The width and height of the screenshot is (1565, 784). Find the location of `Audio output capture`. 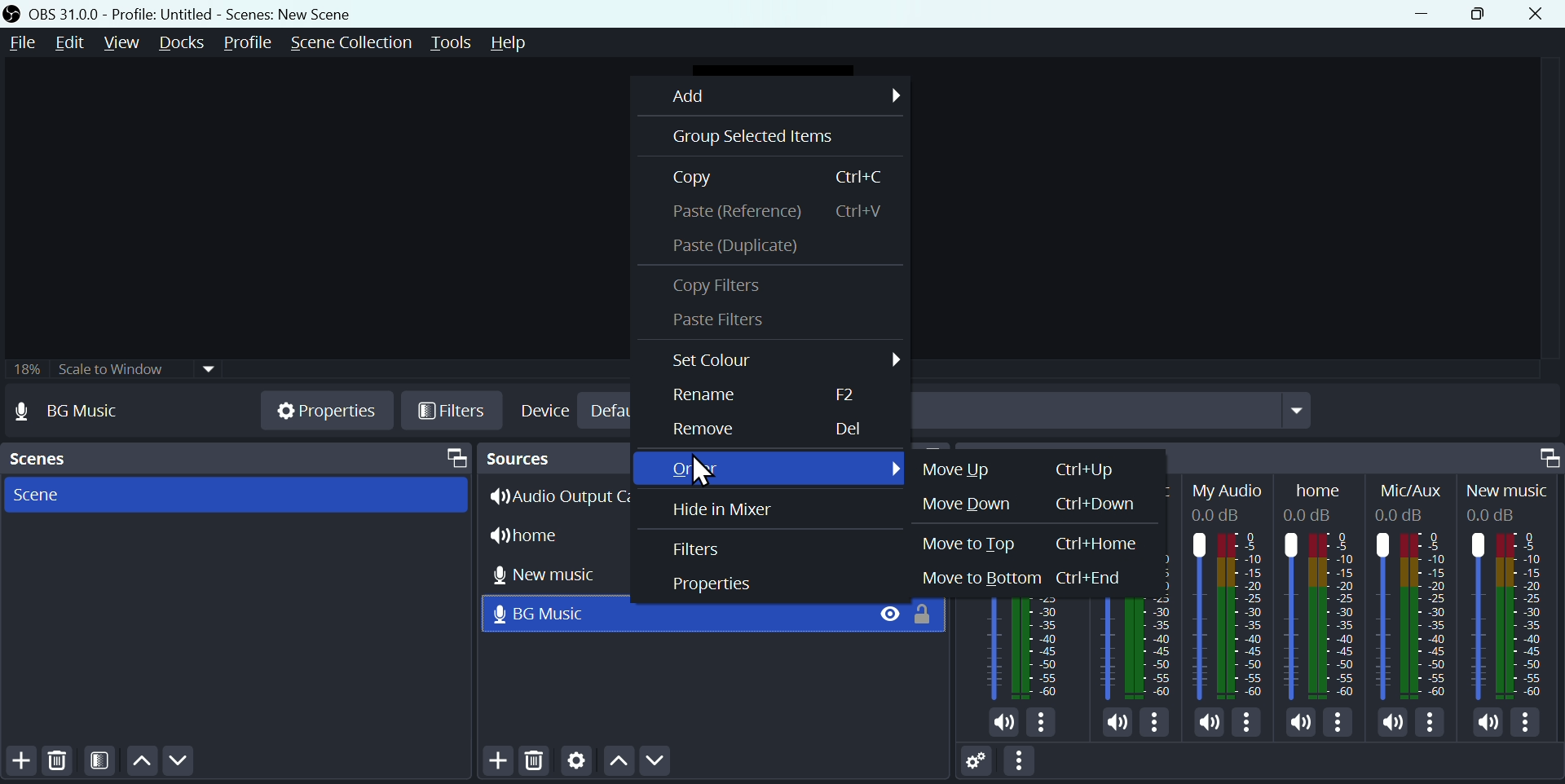

Audio output capture is located at coordinates (563, 496).